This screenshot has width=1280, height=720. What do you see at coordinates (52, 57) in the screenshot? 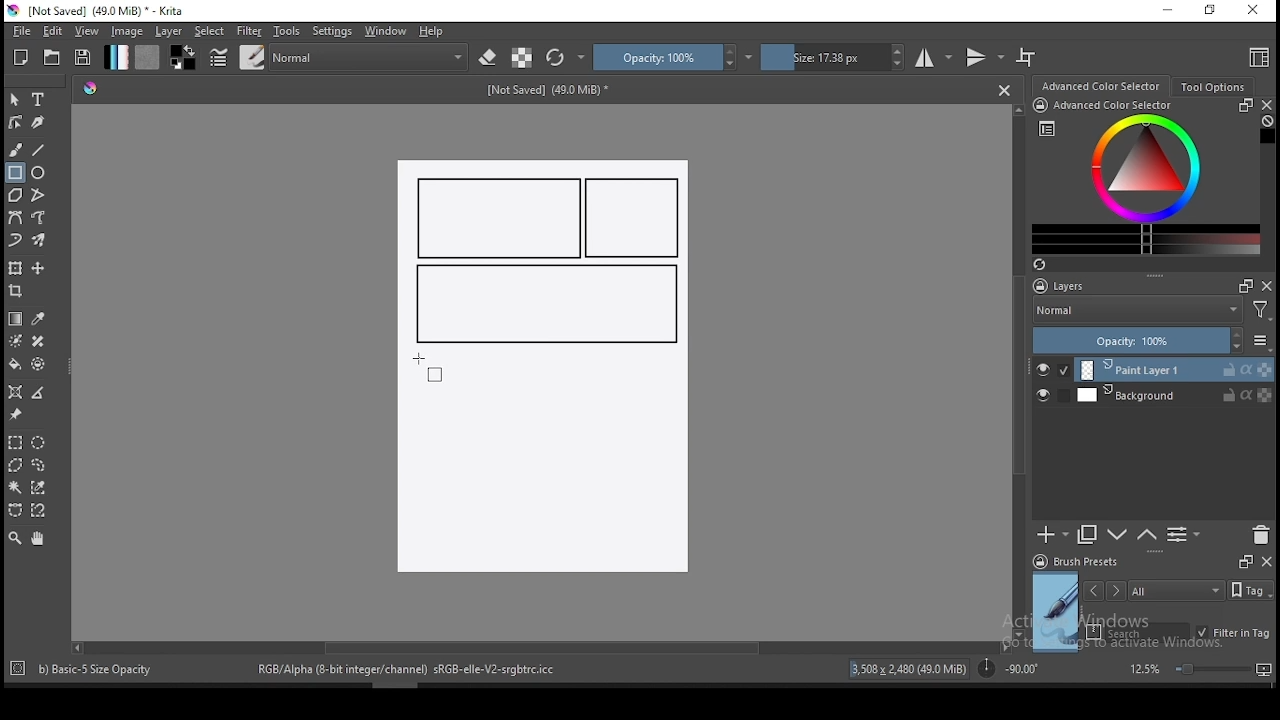
I see `open` at bounding box center [52, 57].